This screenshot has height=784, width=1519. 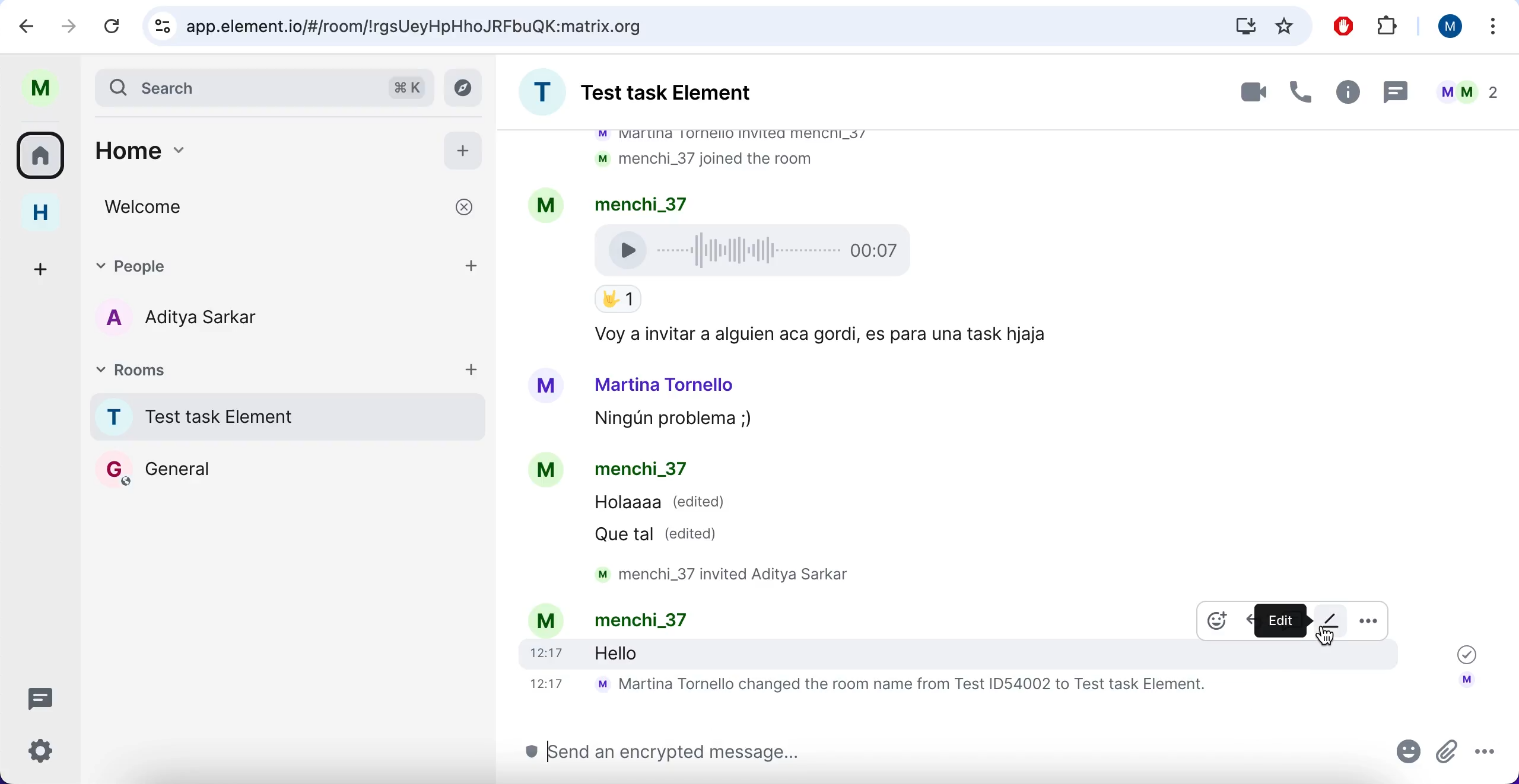 I want to click on room chat, so click(x=660, y=95).